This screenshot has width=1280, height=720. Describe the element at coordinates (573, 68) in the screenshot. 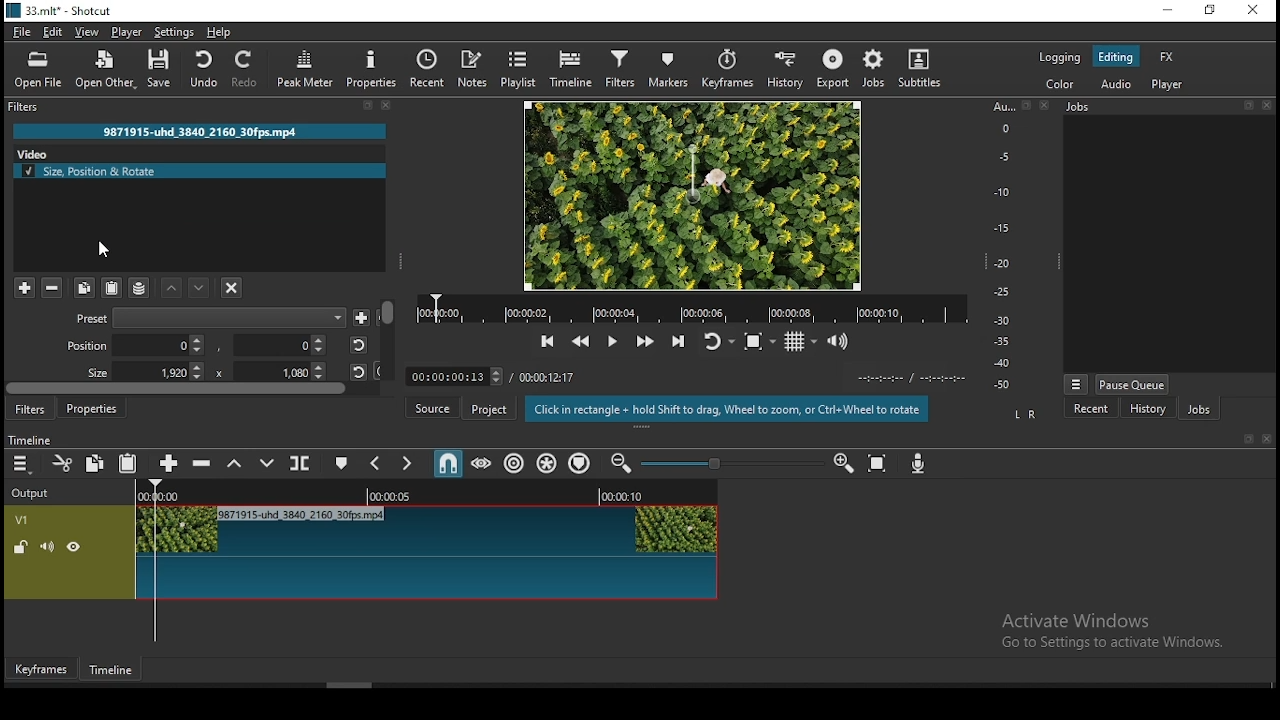

I see `timeline` at that location.